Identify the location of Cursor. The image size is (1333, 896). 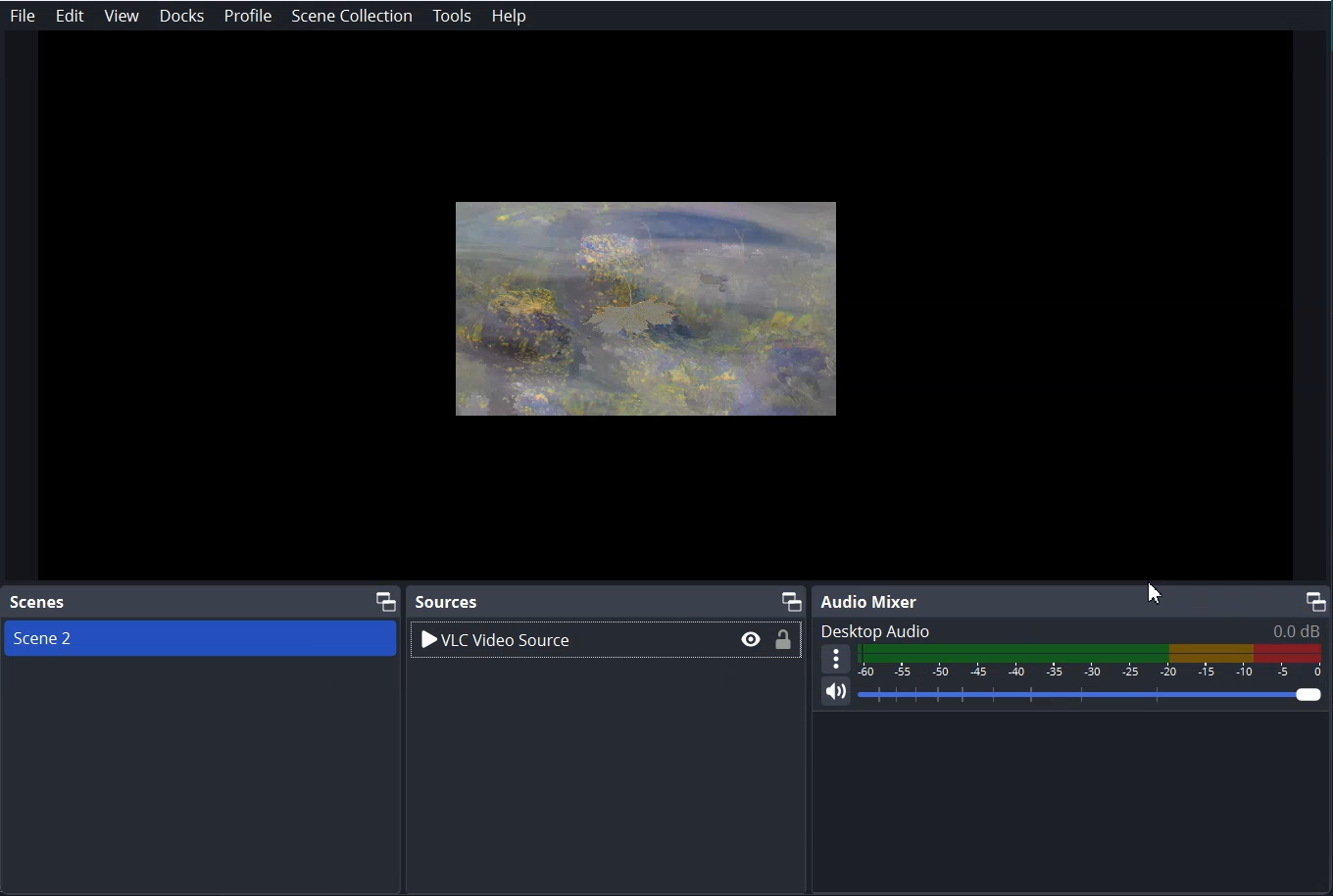
(1155, 589).